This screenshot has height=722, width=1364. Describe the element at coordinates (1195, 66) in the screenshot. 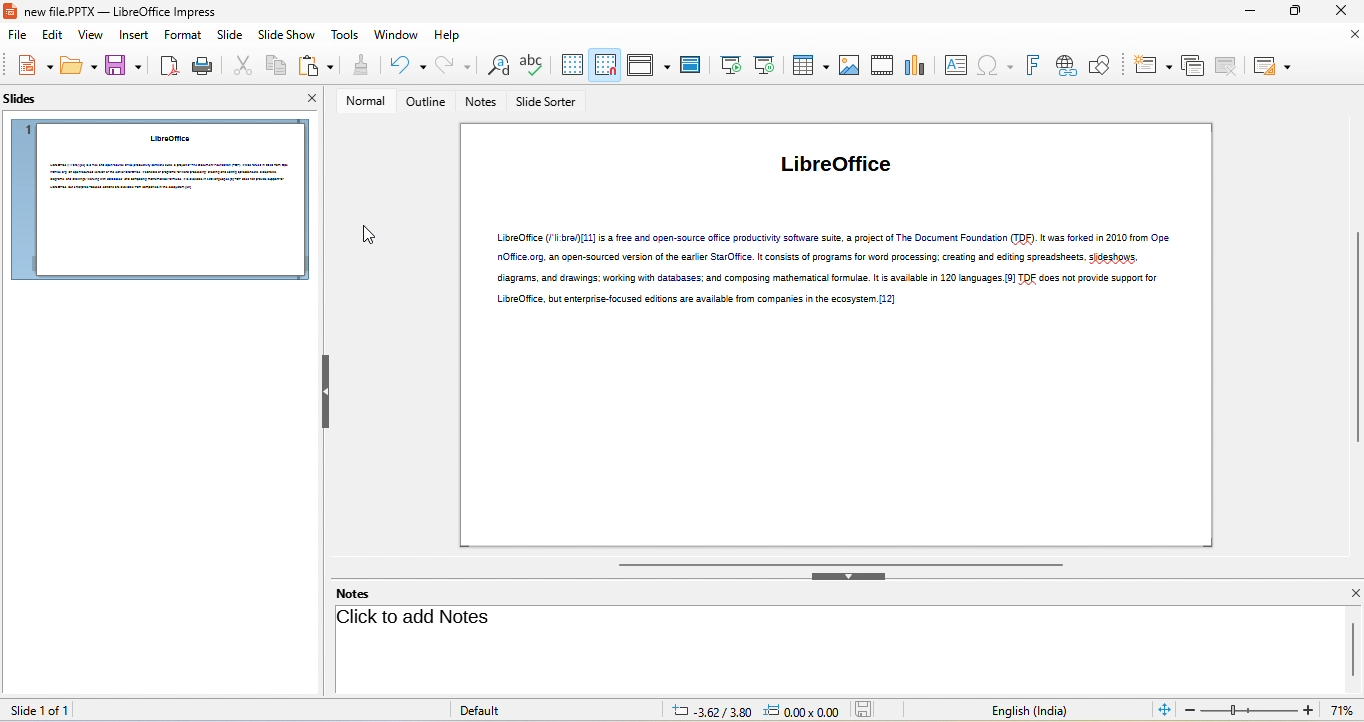

I see `duplicate slide` at that location.